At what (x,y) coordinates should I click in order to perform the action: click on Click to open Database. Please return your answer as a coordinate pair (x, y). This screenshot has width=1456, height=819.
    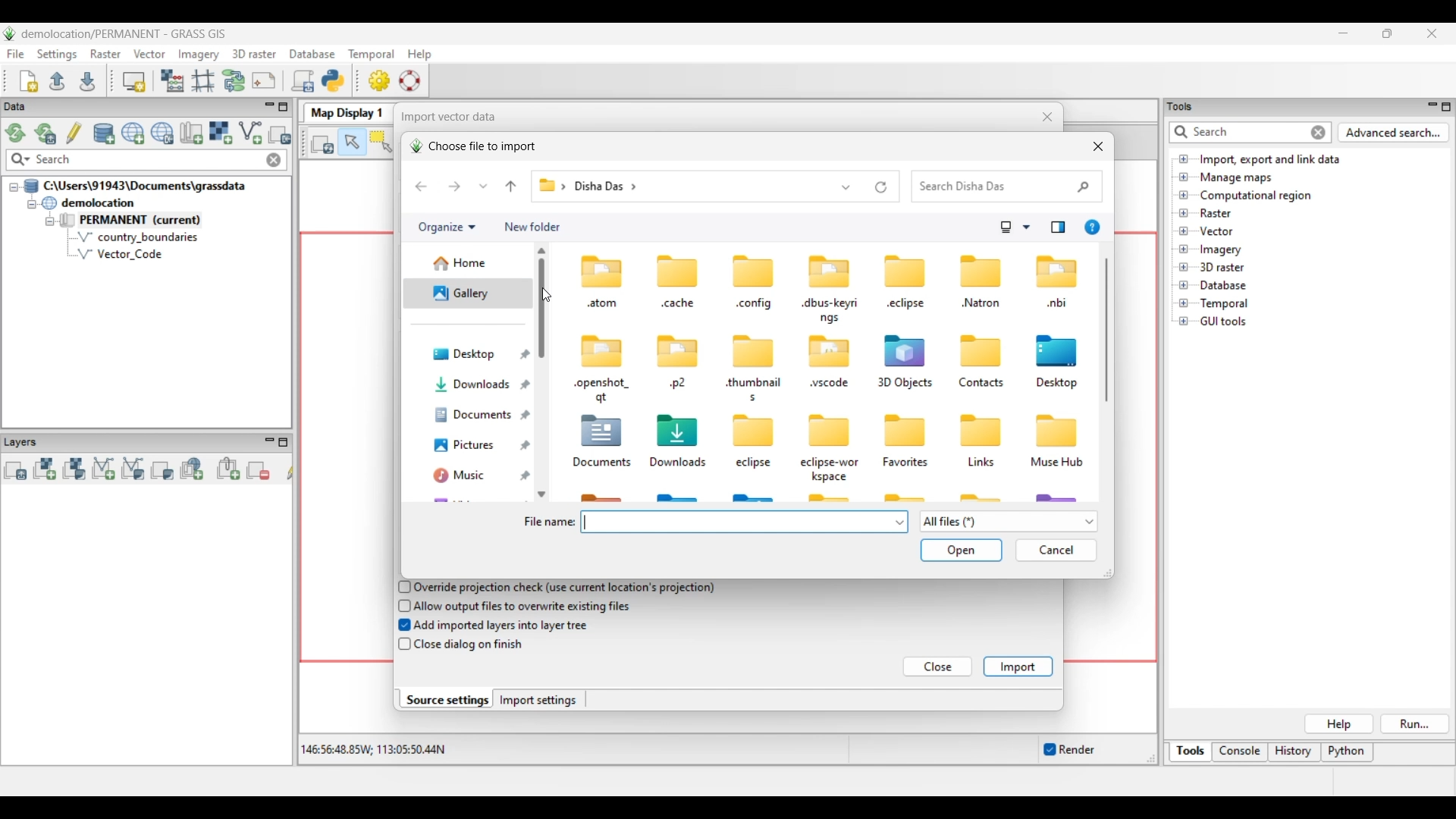
    Looking at the image, I should click on (1184, 285).